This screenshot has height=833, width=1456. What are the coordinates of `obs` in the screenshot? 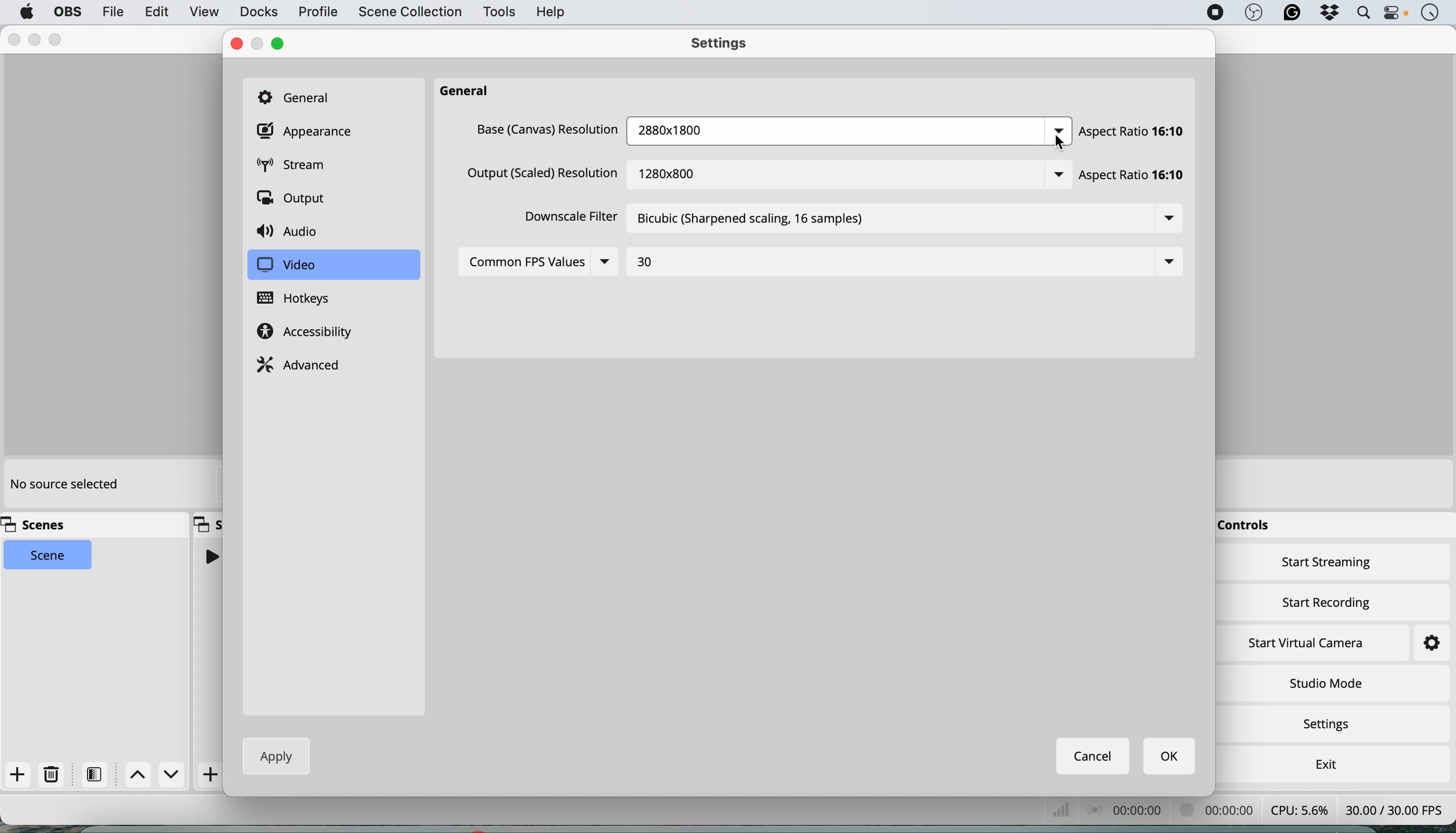 It's located at (1254, 13).